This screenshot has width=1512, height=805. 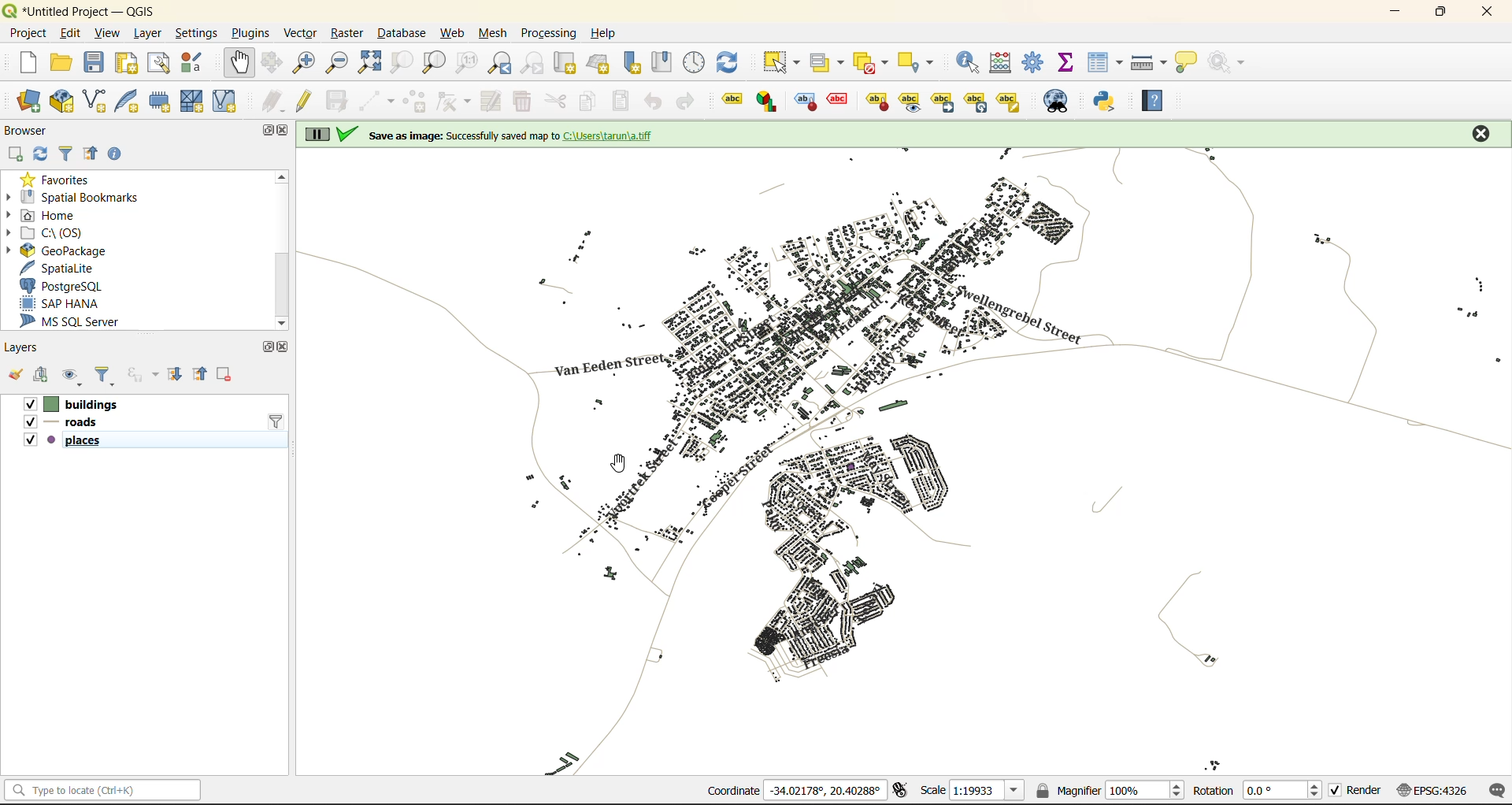 I want to click on attributes table, so click(x=1106, y=63).